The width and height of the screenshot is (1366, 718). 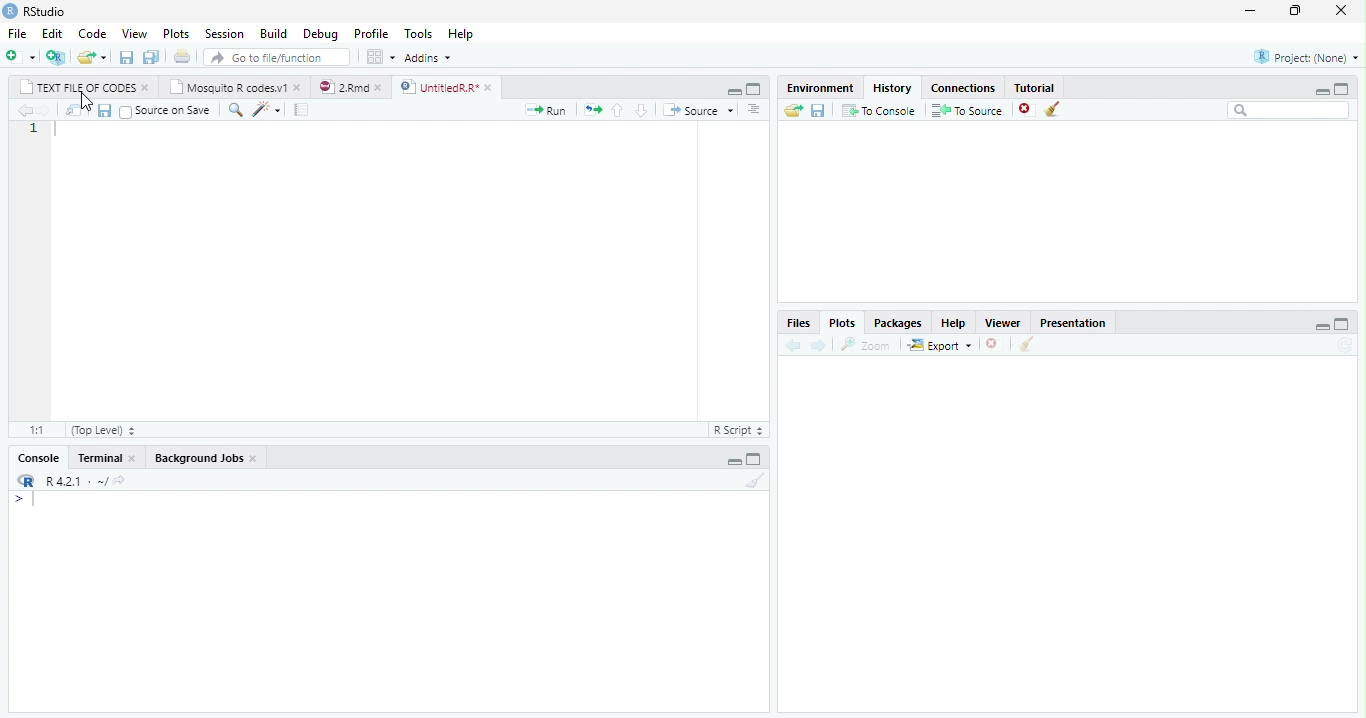 I want to click on edit, so click(x=49, y=33).